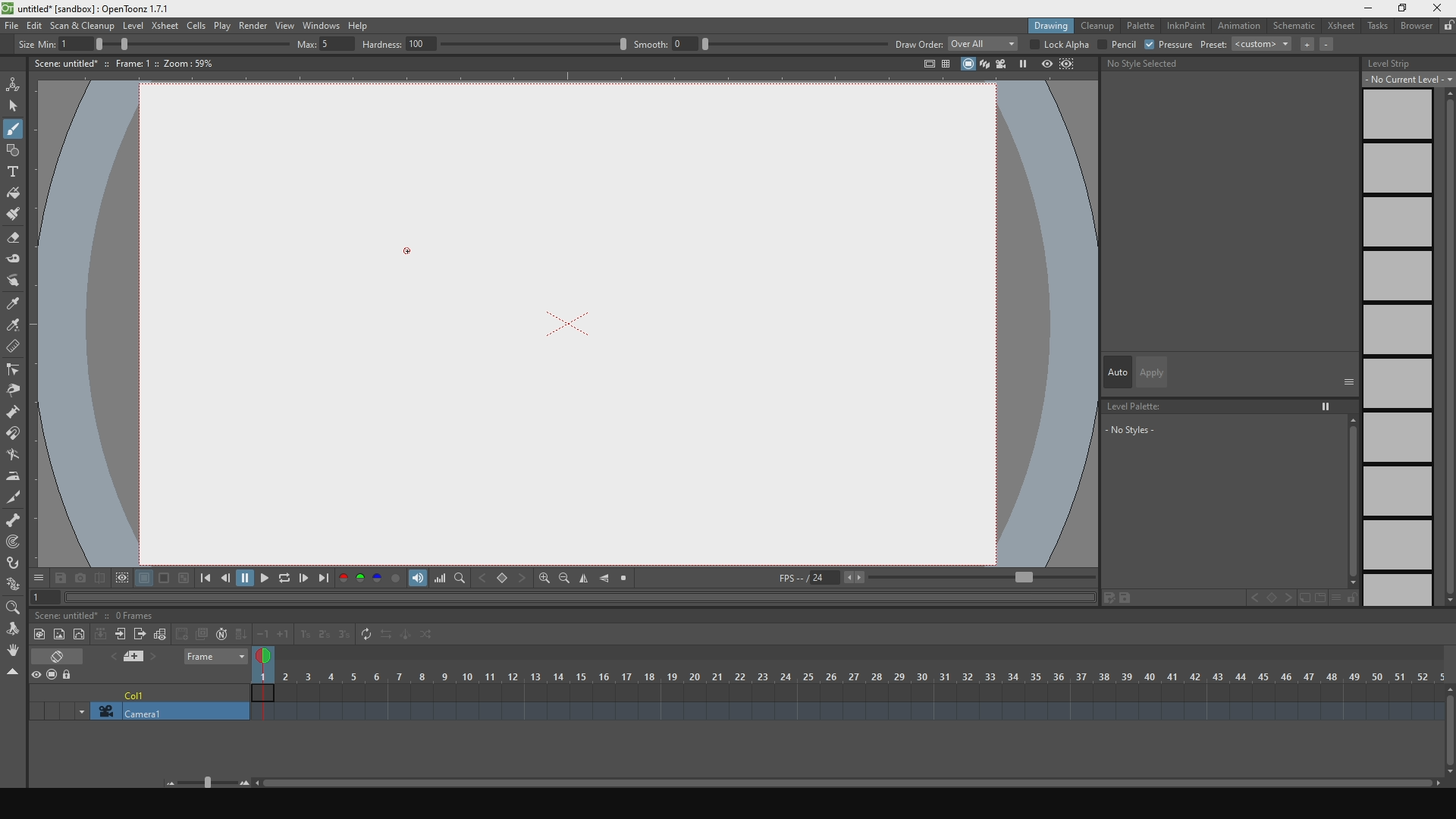 This screenshot has width=1456, height=819. I want to click on save, so click(60, 579).